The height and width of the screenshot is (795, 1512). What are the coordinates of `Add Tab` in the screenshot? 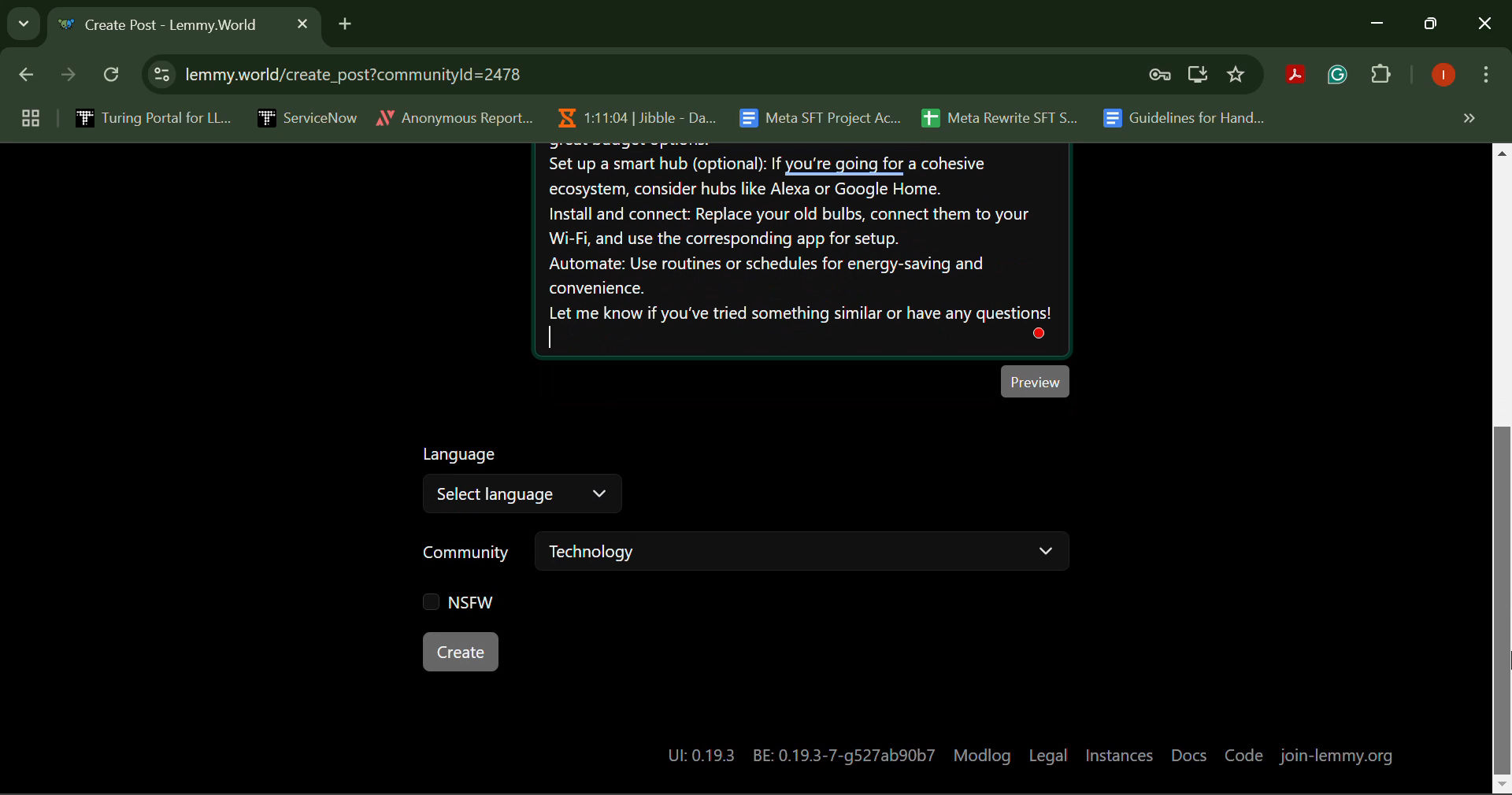 It's located at (345, 21).